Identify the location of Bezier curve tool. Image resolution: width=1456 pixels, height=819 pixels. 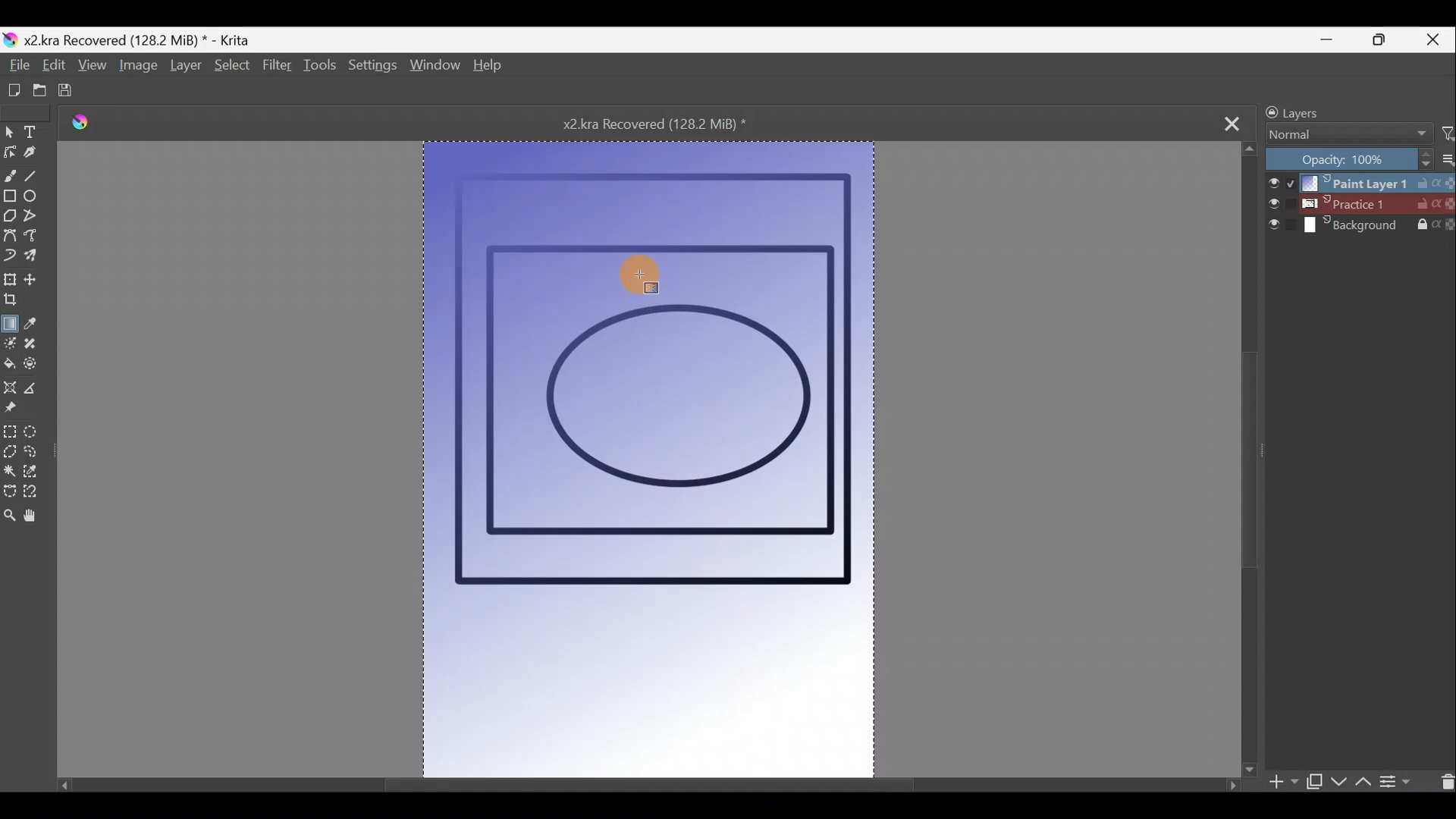
(10, 237).